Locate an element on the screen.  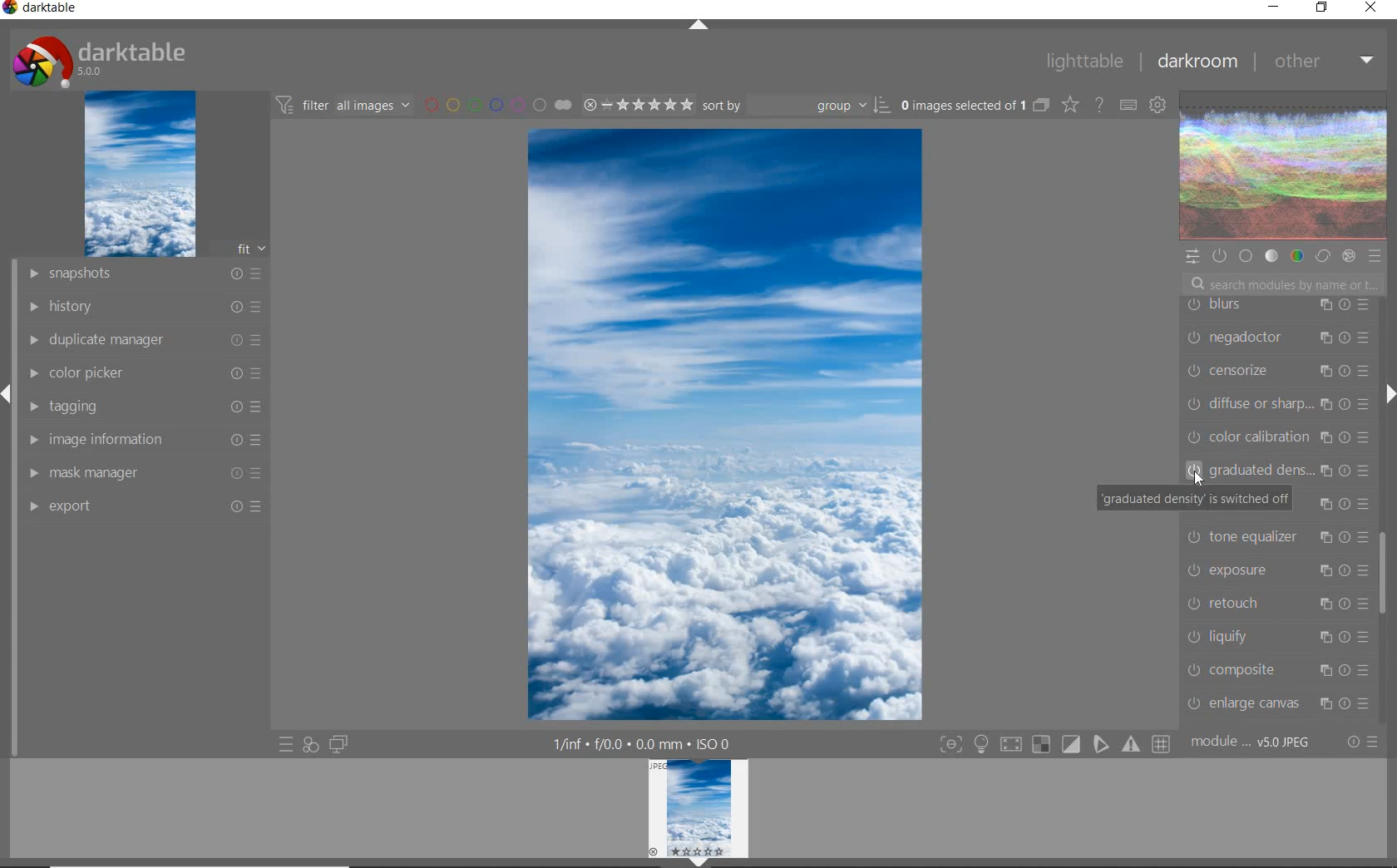
sort by group is located at coordinates (794, 106).